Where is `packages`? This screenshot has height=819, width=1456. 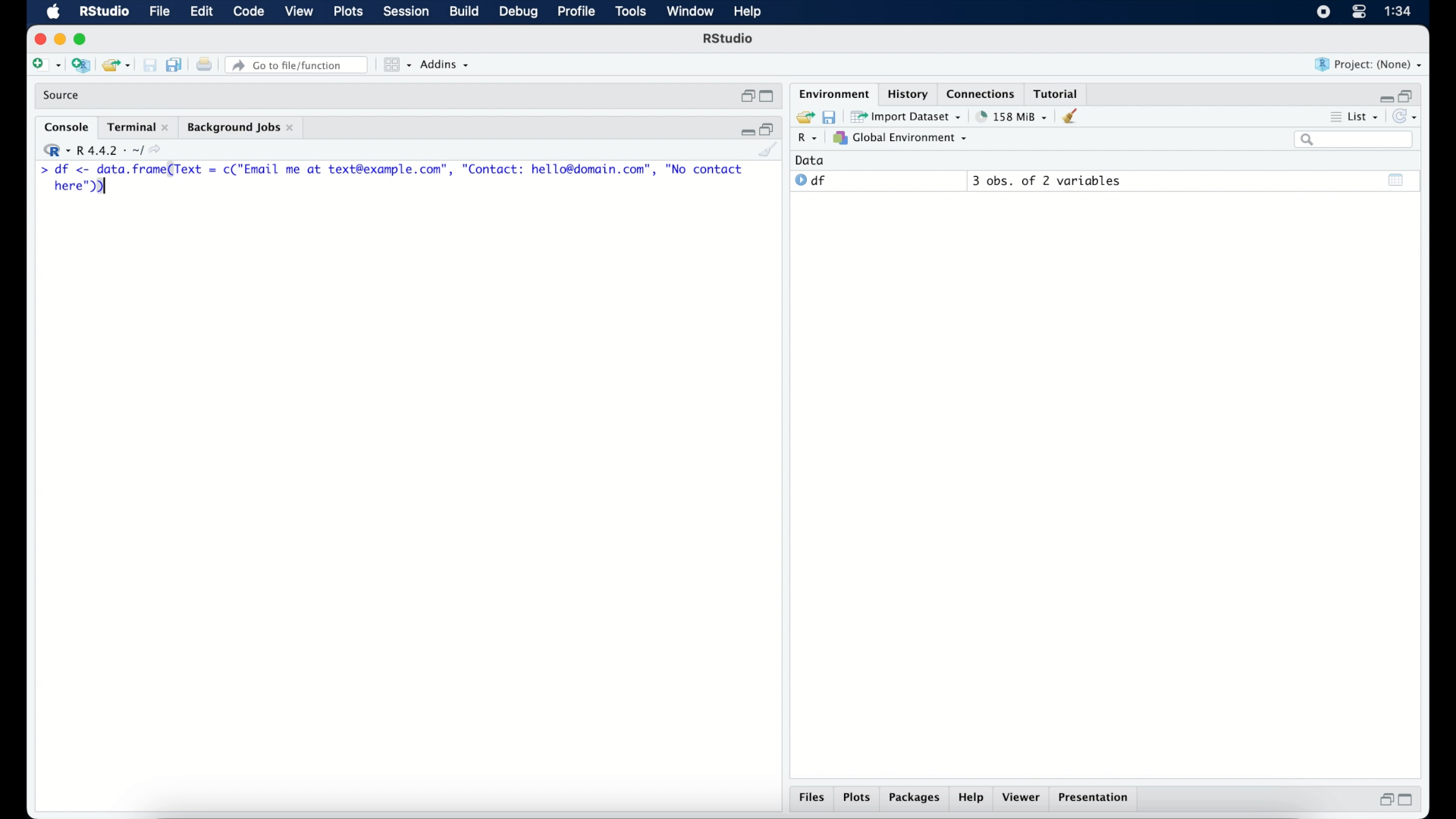
packages is located at coordinates (914, 799).